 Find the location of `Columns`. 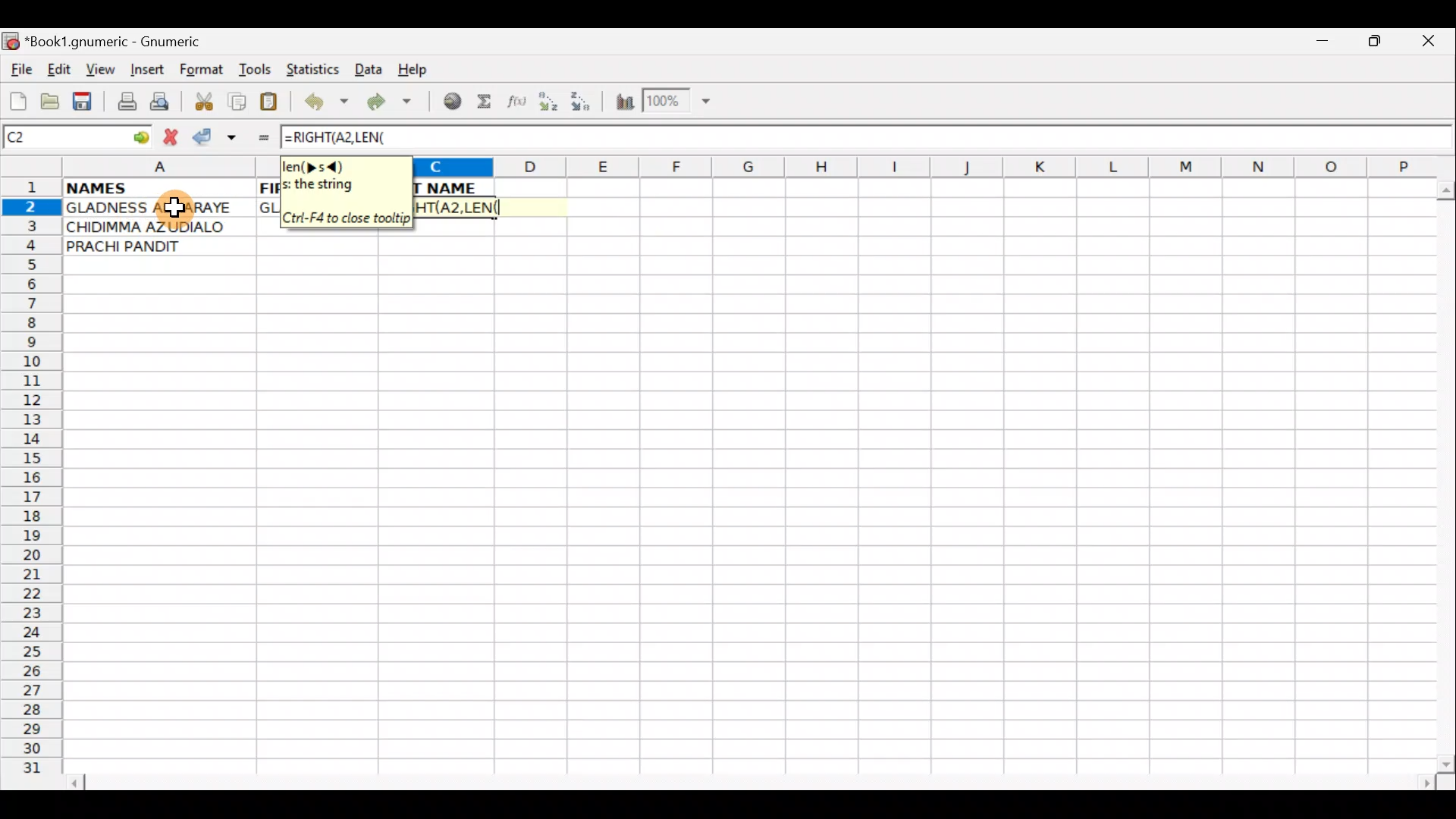

Columns is located at coordinates (930, 166).